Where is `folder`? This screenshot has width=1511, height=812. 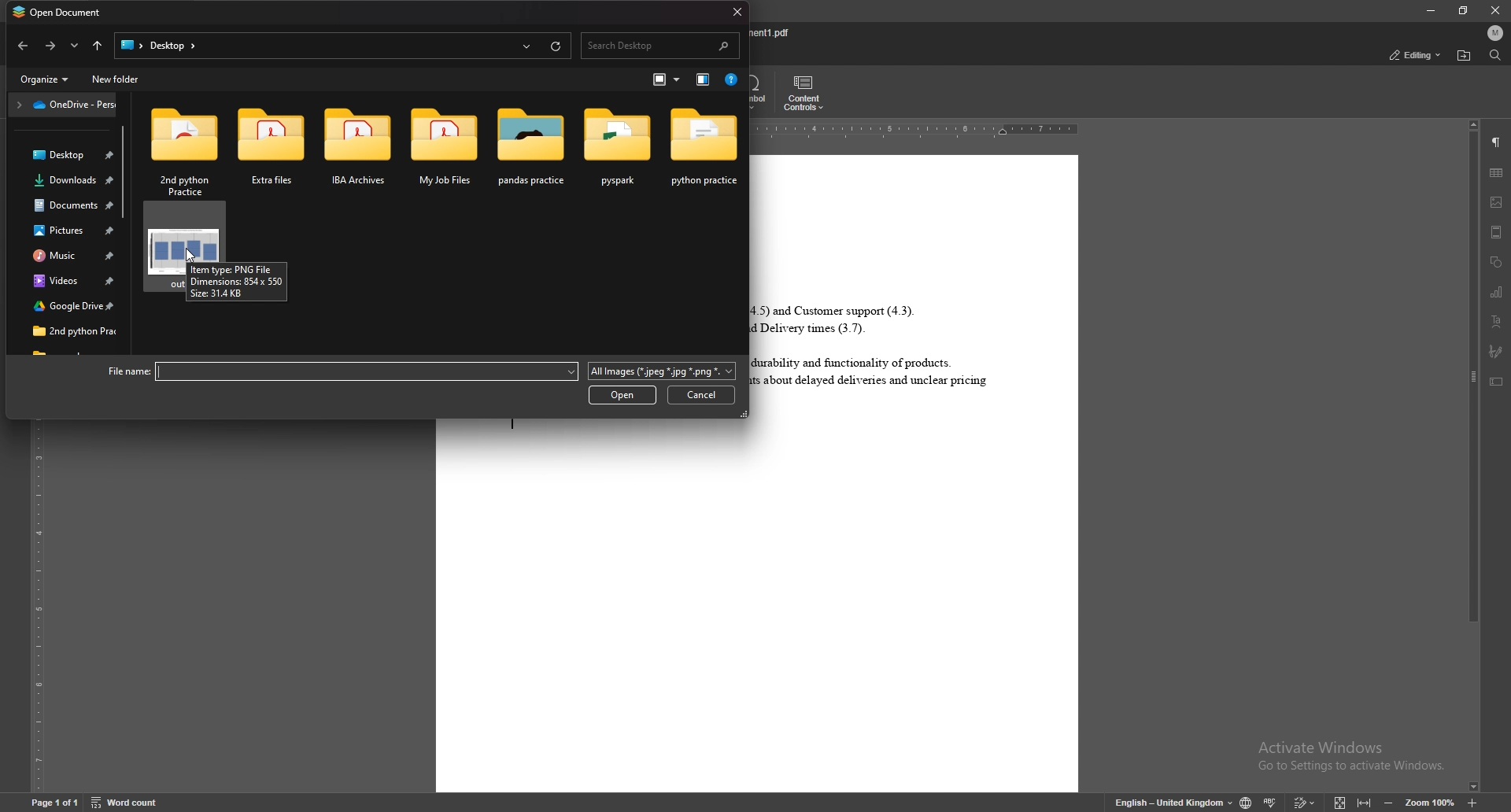
folder is located at coordinates (63, 306).